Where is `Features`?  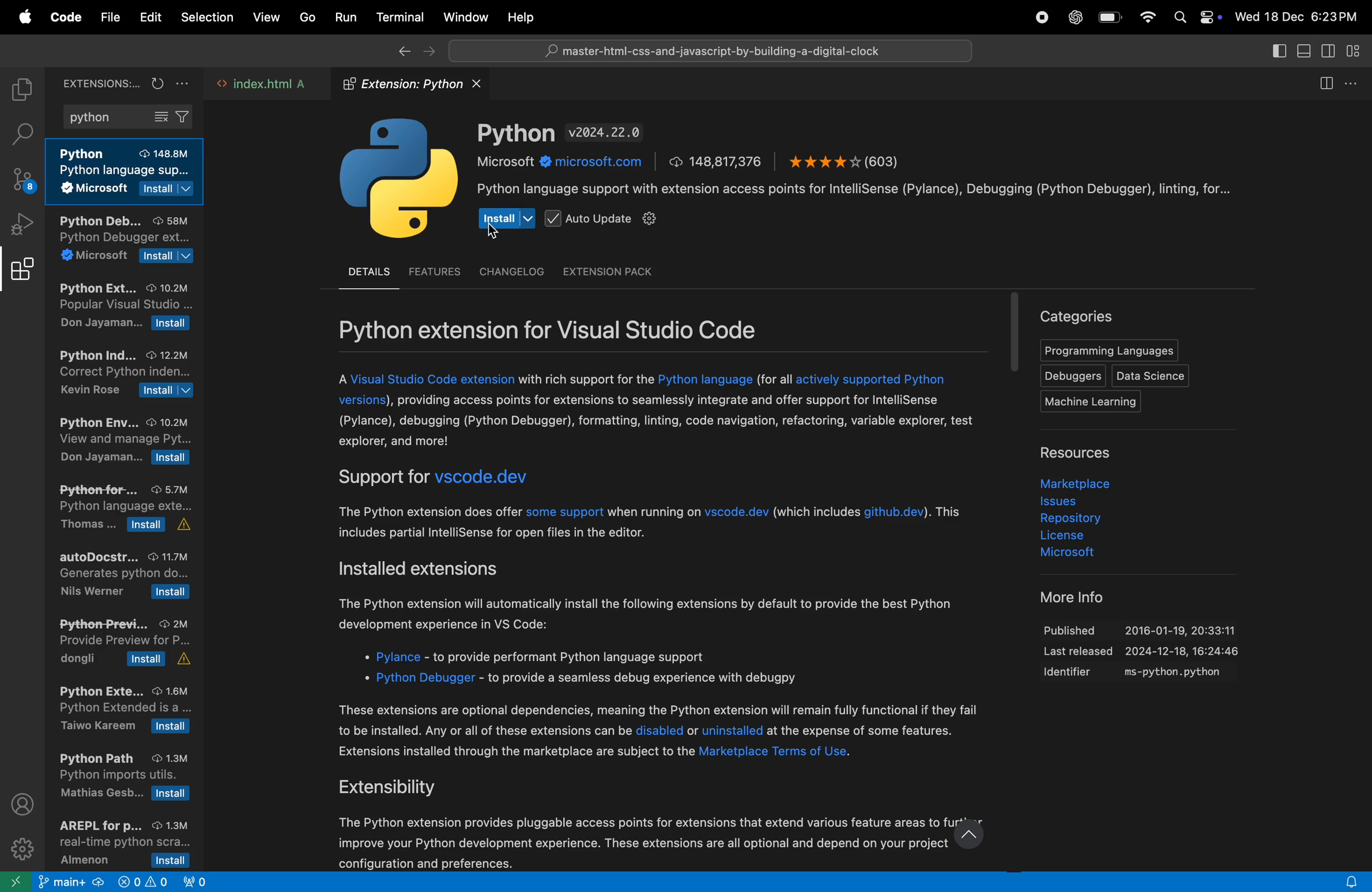 Features is located at coordinates (436, 270).